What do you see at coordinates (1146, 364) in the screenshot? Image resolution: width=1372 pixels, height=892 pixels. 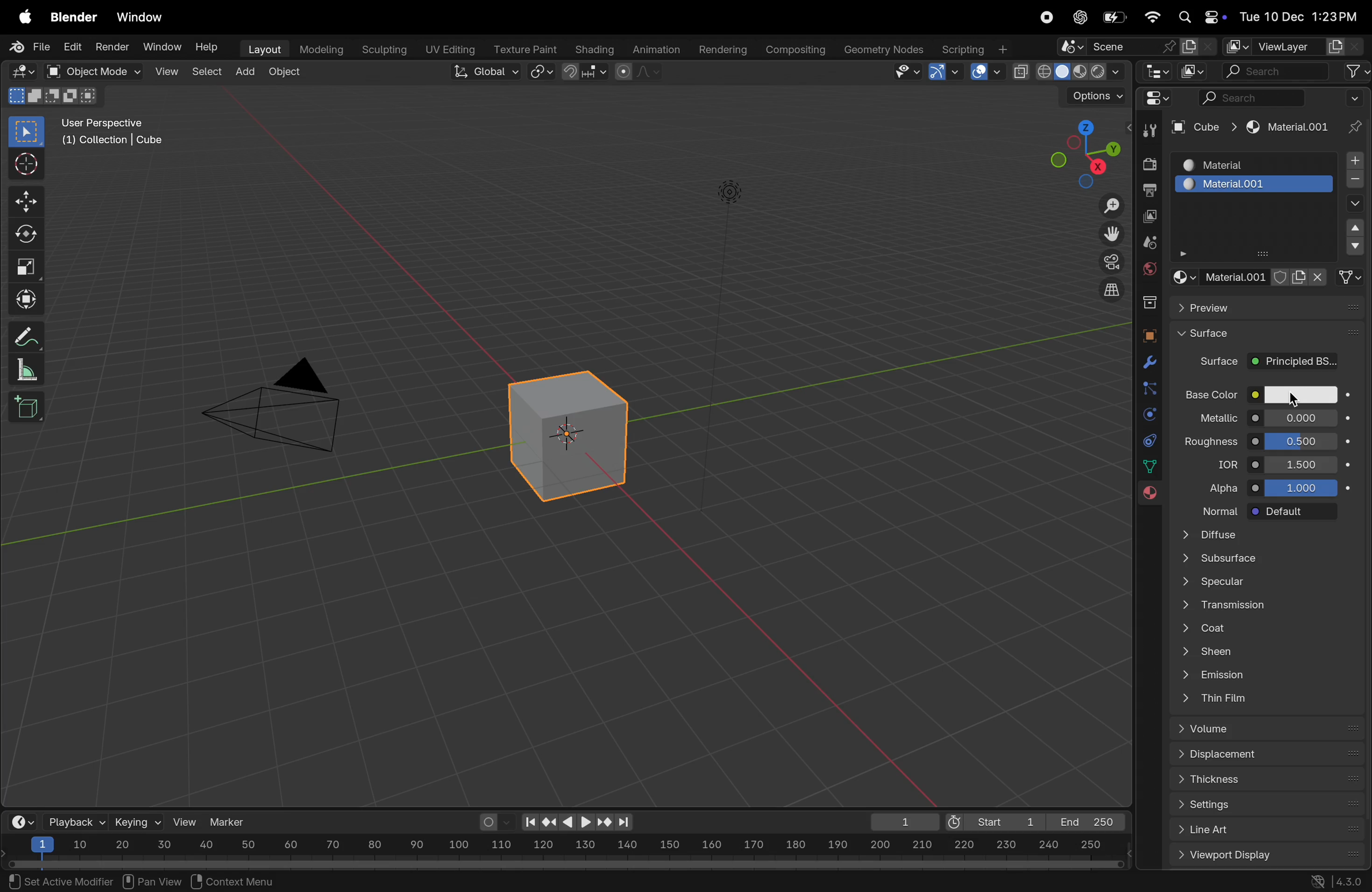 I see `modifiers` at bounding box center [1146, 364].